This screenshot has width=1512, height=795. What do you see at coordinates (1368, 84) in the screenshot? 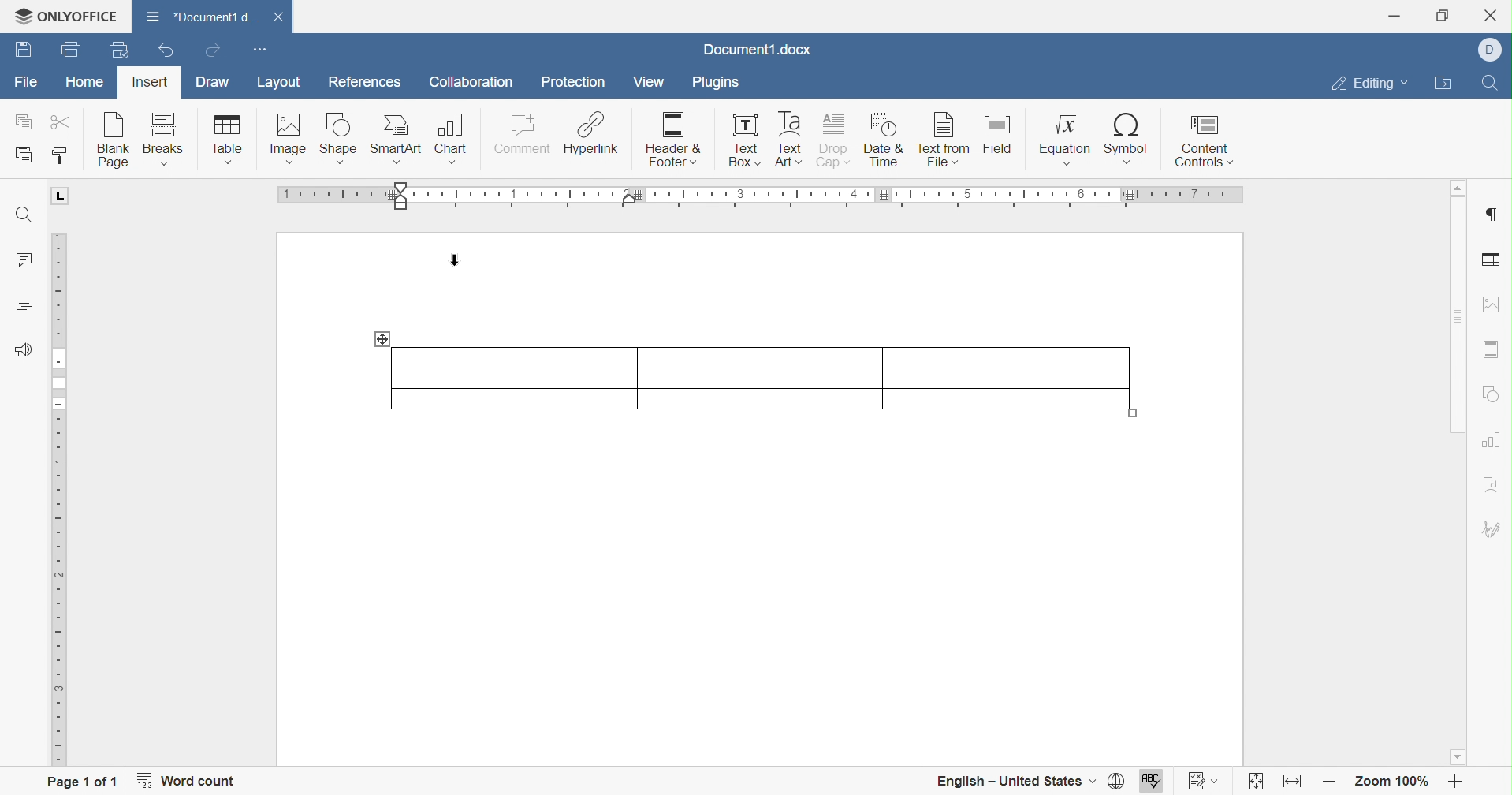
I see `Editing` at bounding box center [1368, 84].